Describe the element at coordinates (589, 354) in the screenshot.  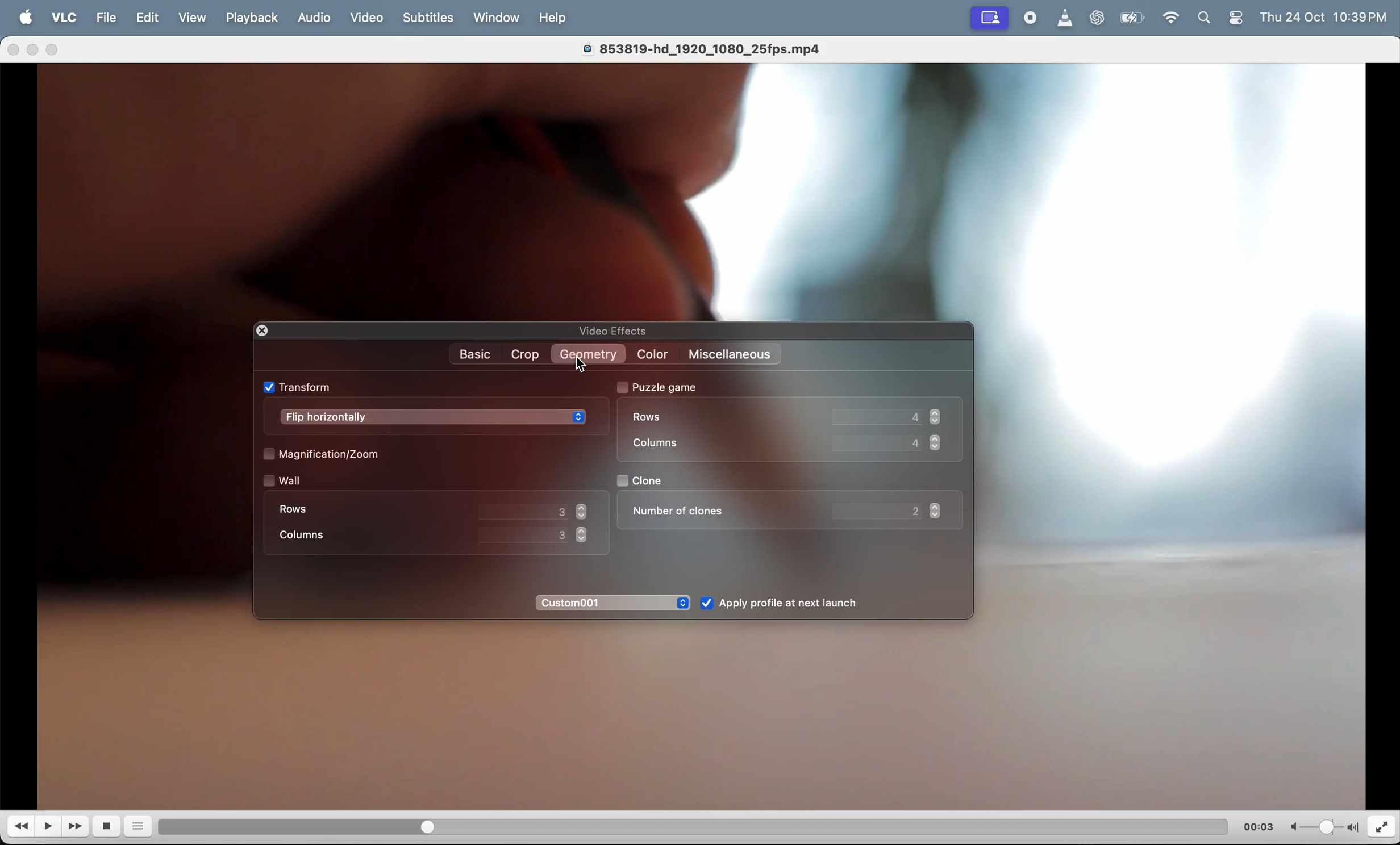
I see `Geometry` at that location.